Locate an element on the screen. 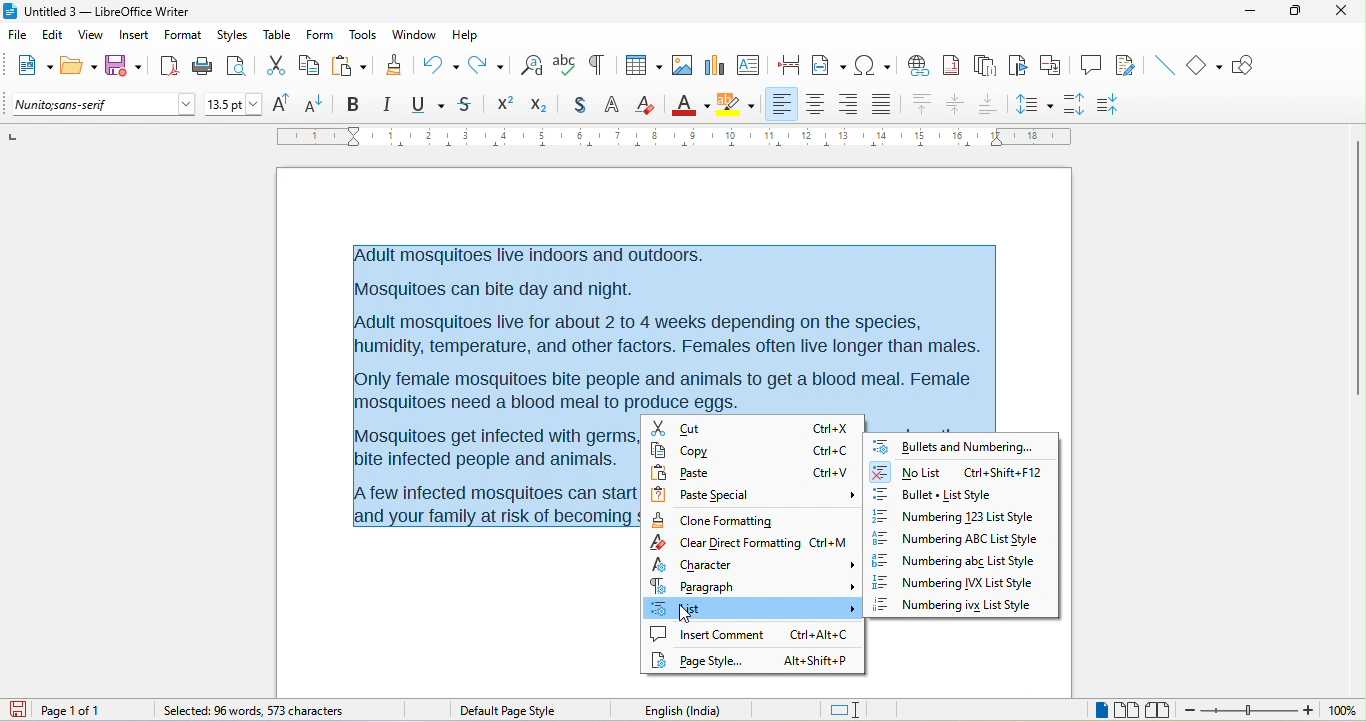  character highlighting is located at coordinates (738, 104).